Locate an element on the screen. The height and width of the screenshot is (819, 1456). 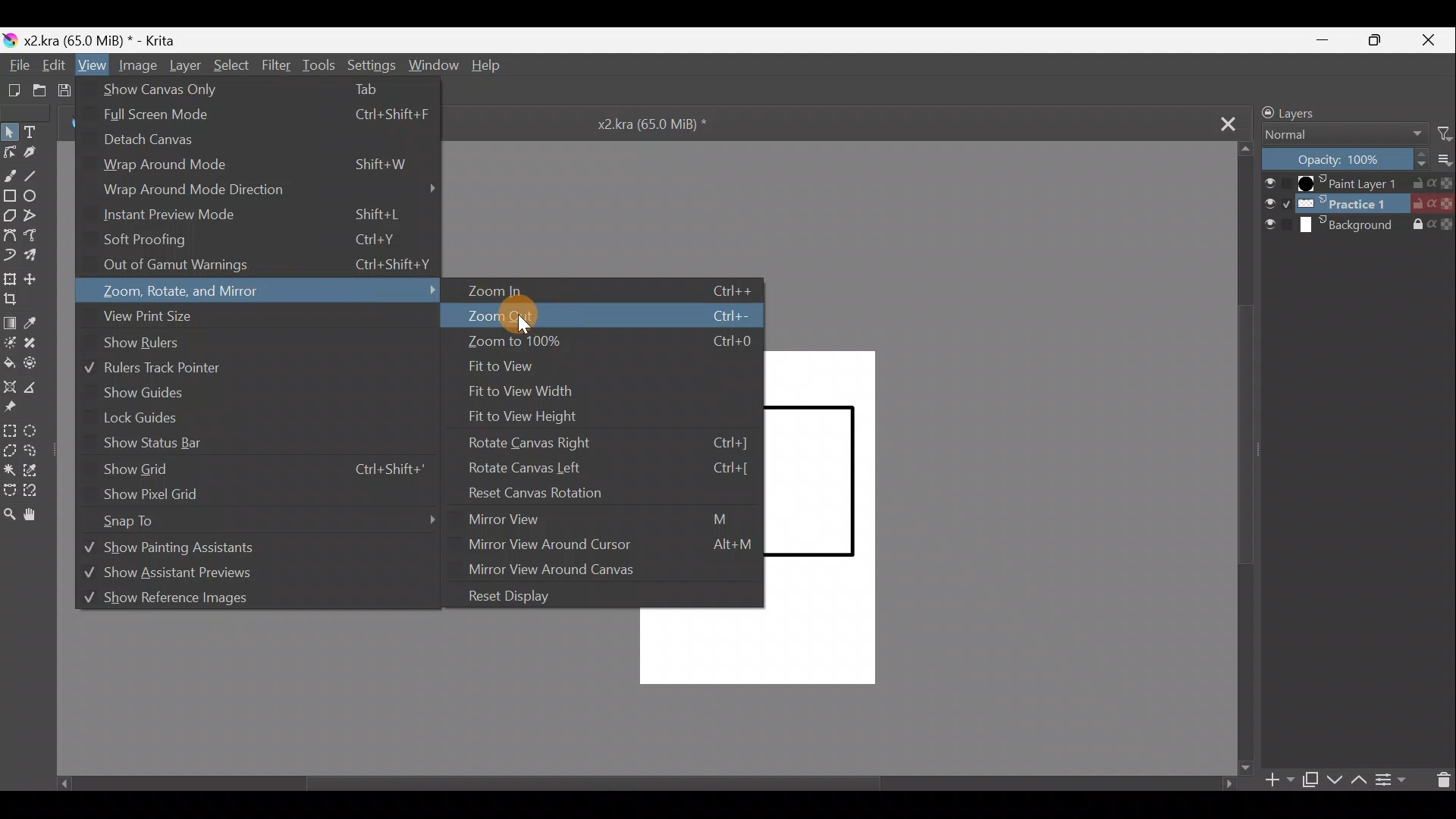
Calligraphy is located at coordinates (37, 152).